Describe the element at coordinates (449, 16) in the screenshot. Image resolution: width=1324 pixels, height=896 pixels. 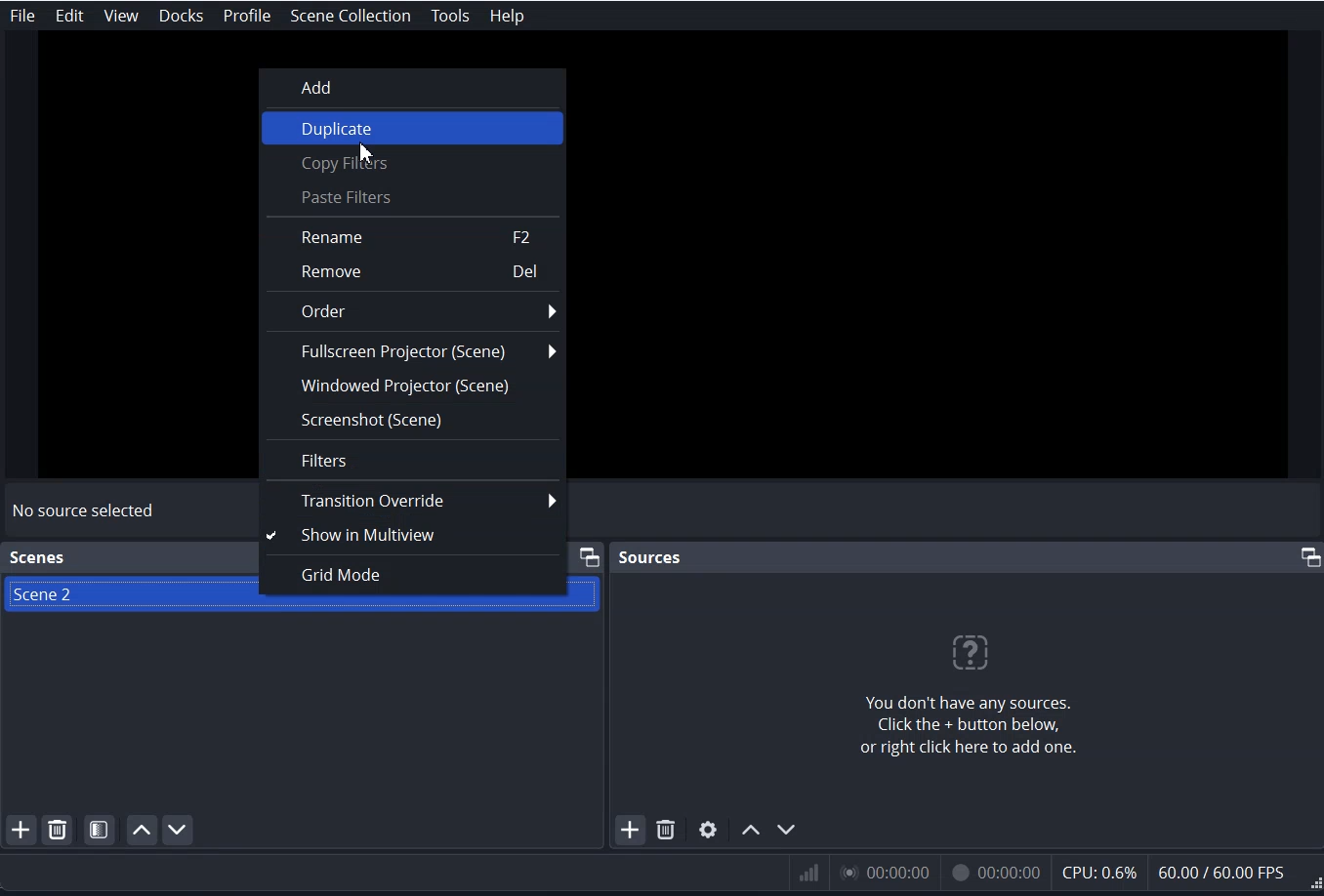
I see `Tools` at that location.